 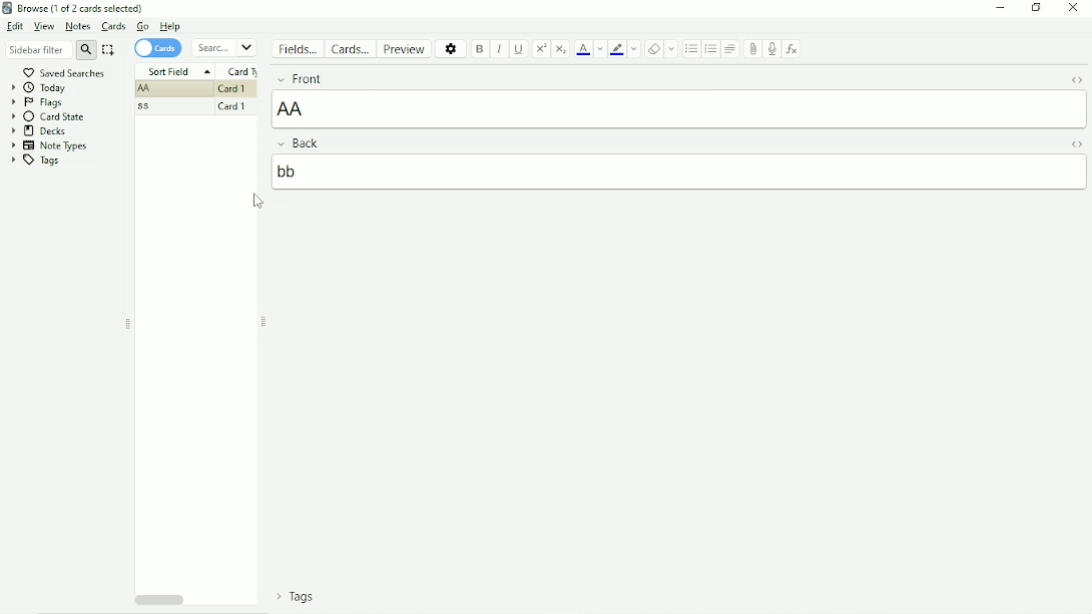 I want to click on Select formatting to remove, so click(x=672, y=49).